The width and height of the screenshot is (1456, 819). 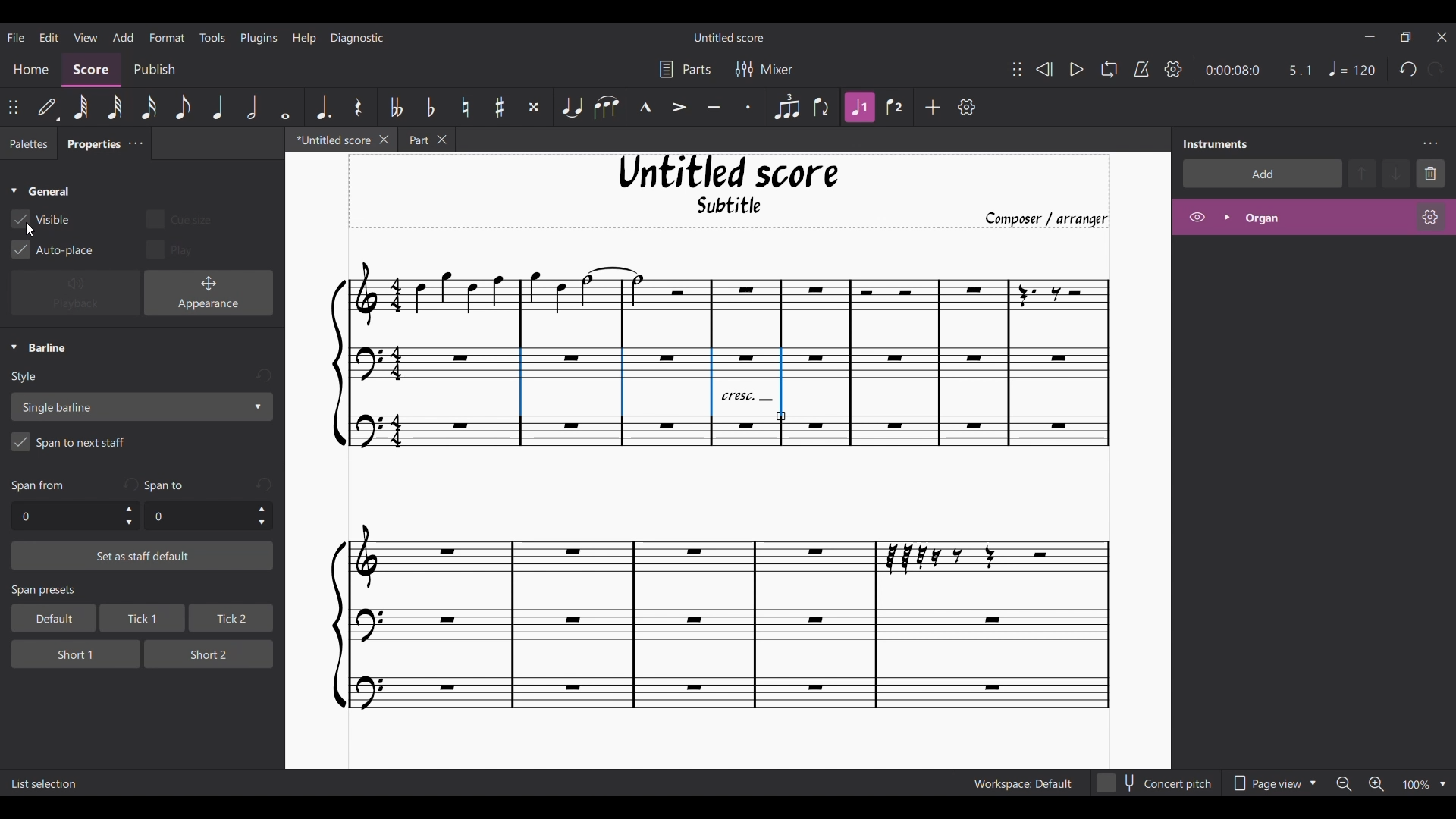 I want to click on Play, so click(x=1076, y=70).